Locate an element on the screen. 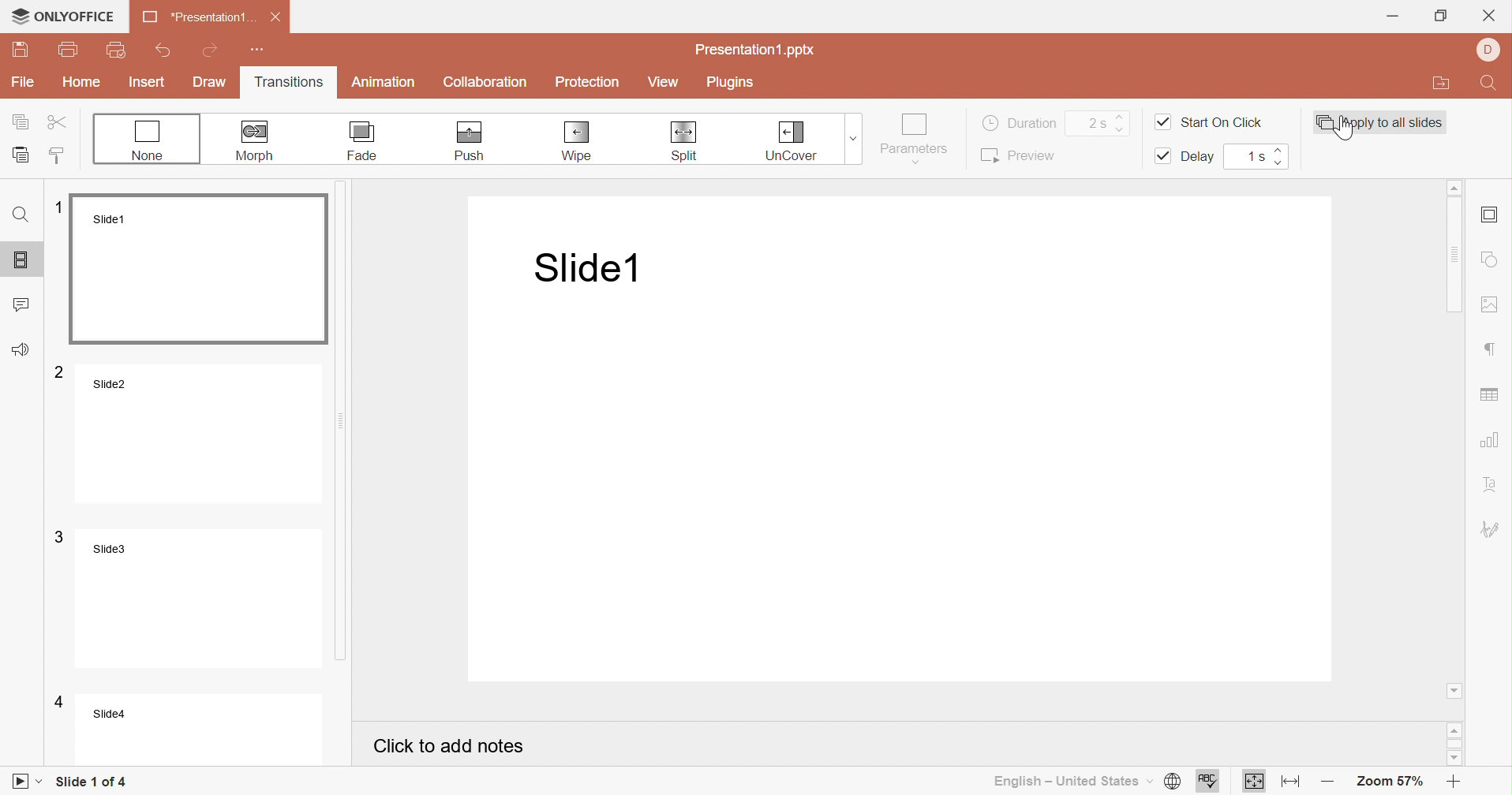 The image size is (1512, 795). Draw is located at coordinates (211, 84).